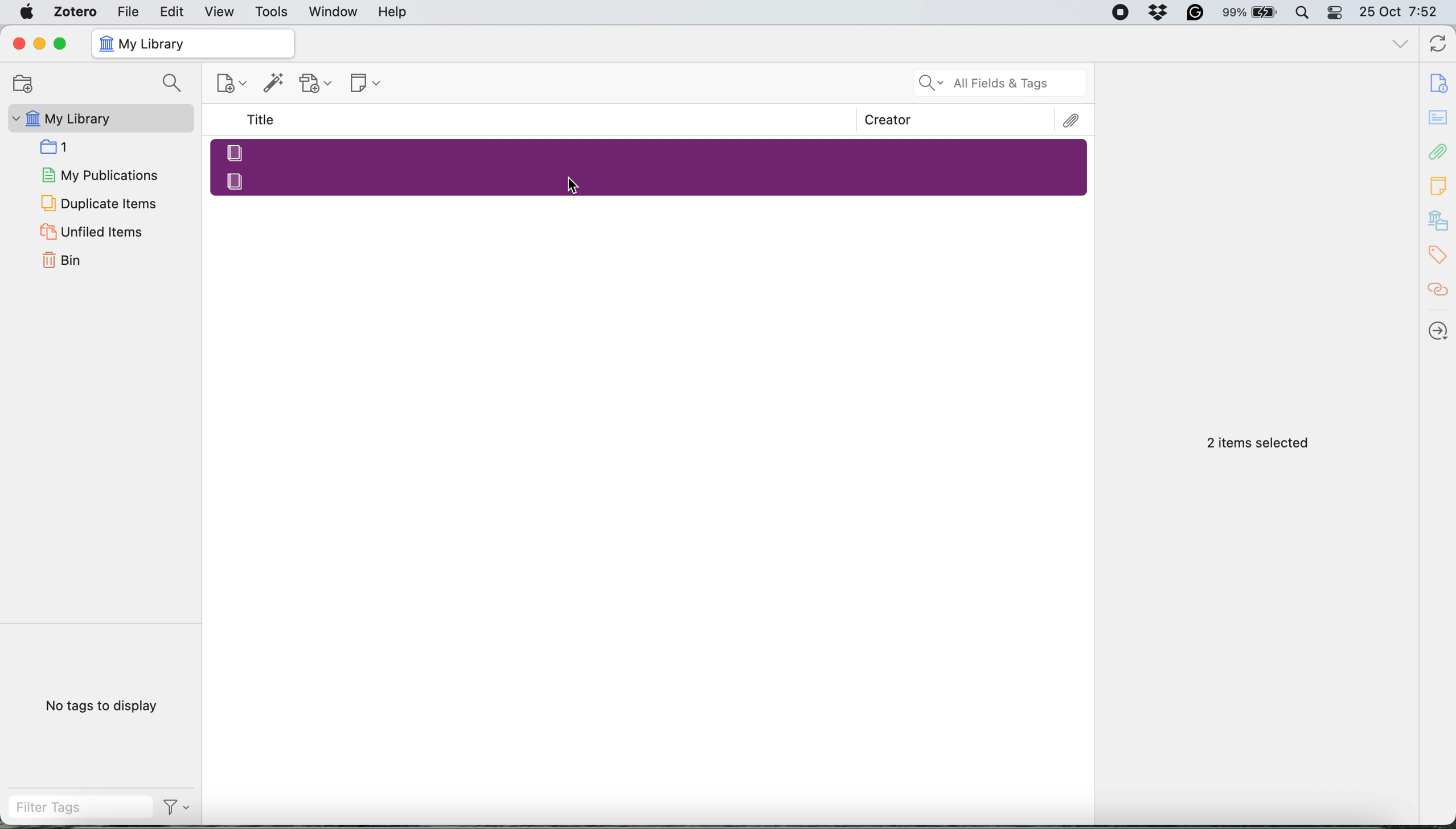 Image resolution: width=1456 pixels, height=829 pixels. What do you see at coordinates (97, 202) in the screenshot?
I see `Duplicate Items` at bounding box center [97, 202].